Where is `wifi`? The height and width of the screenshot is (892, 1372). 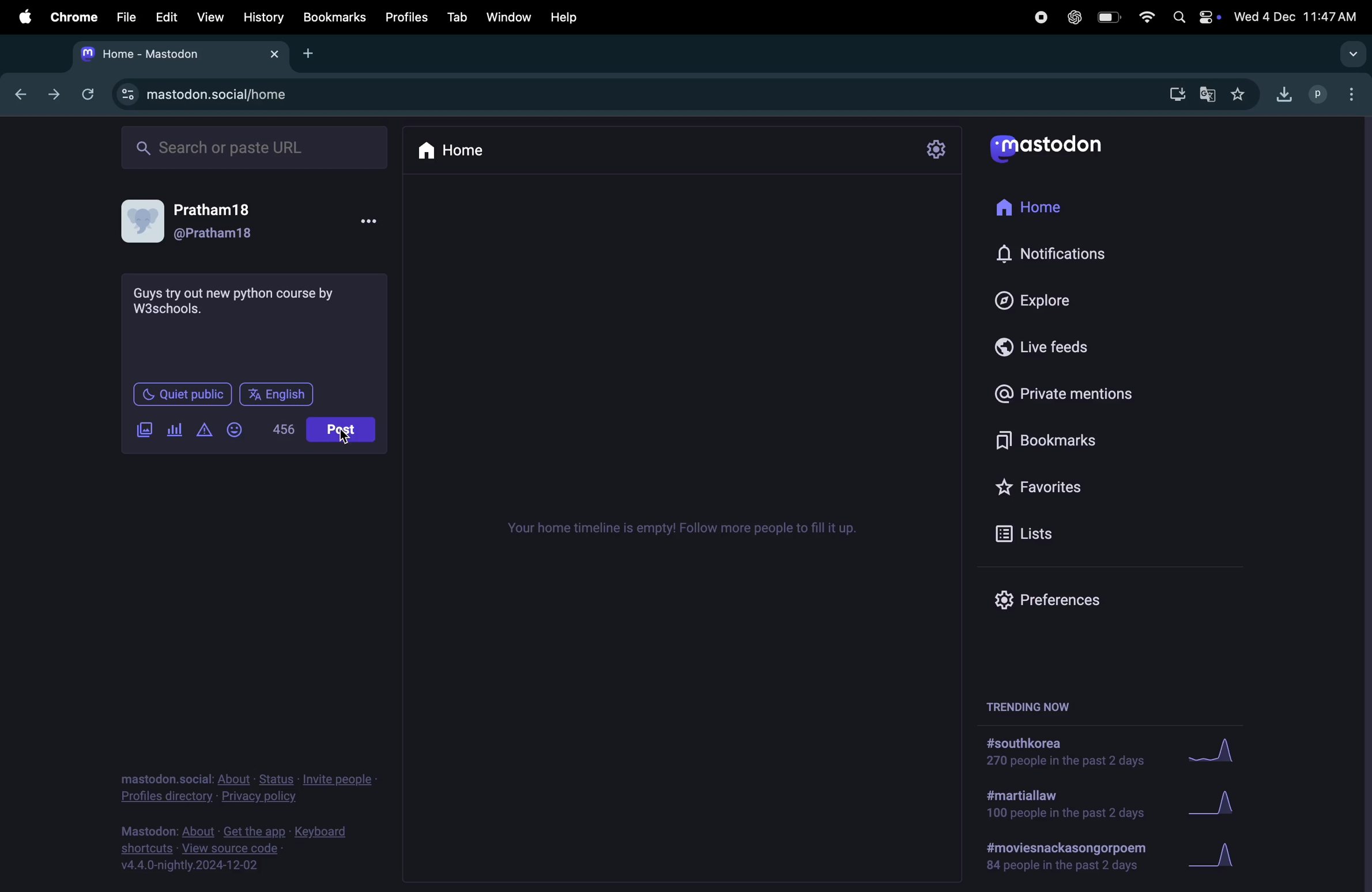 wifi is located at coordinates (1145, 16).